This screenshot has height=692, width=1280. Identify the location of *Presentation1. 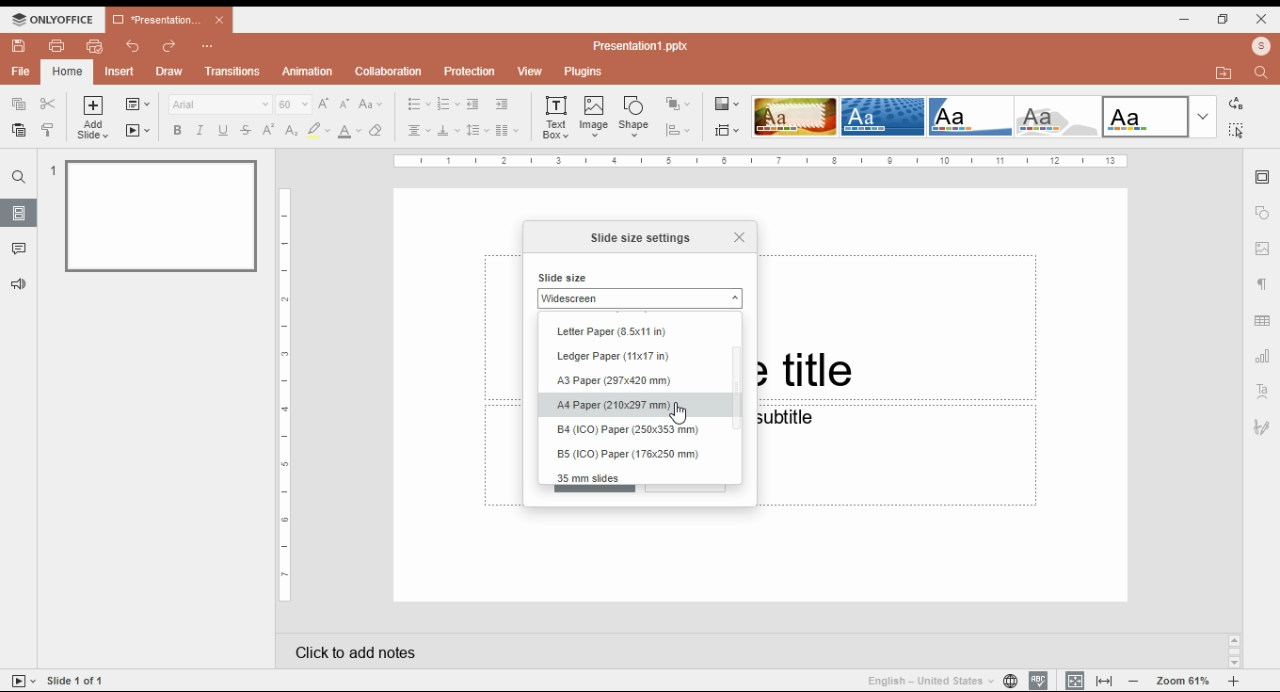
(169, 20).